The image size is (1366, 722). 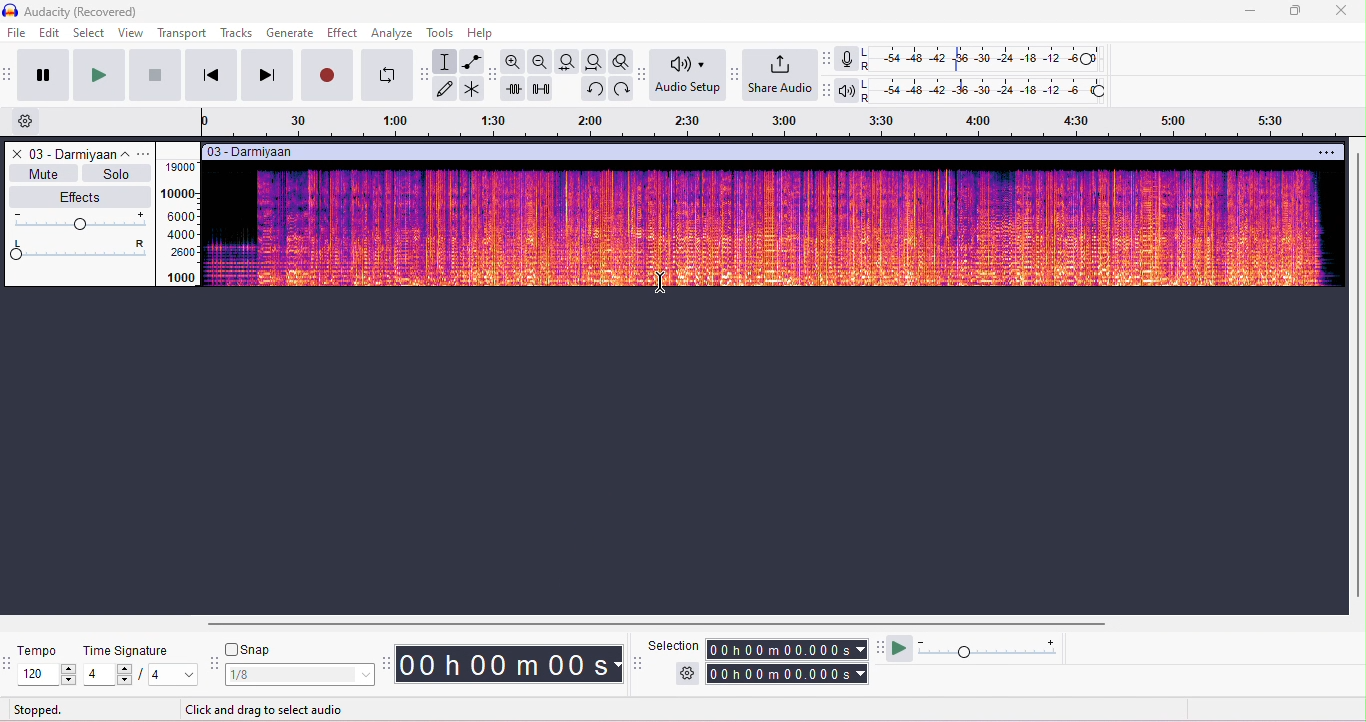 What do you see at coordinates (447, 89) in the screenshot?
I see `draw` at bounding box center [447, 89].